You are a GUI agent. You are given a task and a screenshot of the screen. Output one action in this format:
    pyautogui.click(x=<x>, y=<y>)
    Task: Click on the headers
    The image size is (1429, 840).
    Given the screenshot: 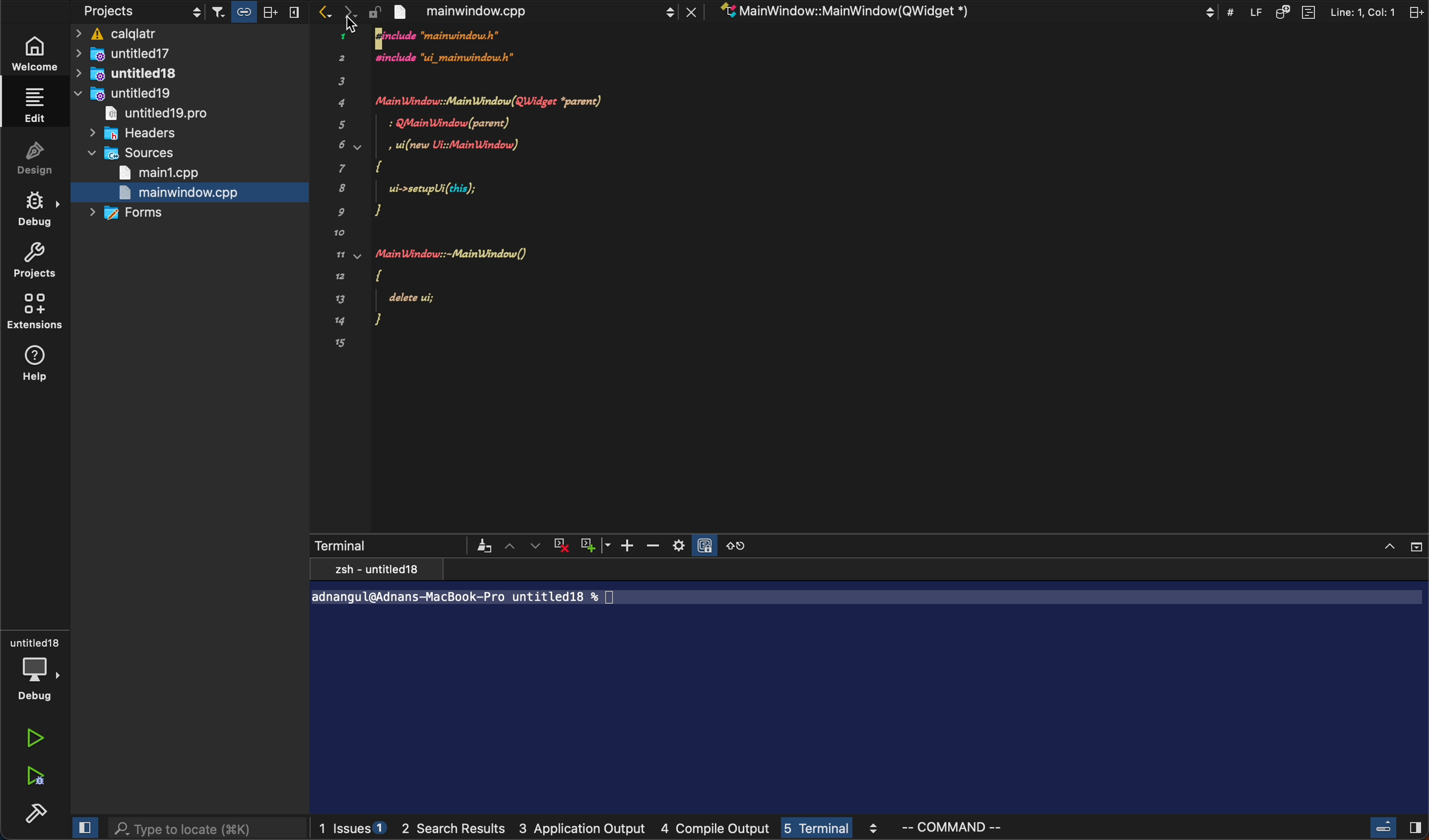 What is the action you would take?
    pyautogui.click(x=138, y=134)
    